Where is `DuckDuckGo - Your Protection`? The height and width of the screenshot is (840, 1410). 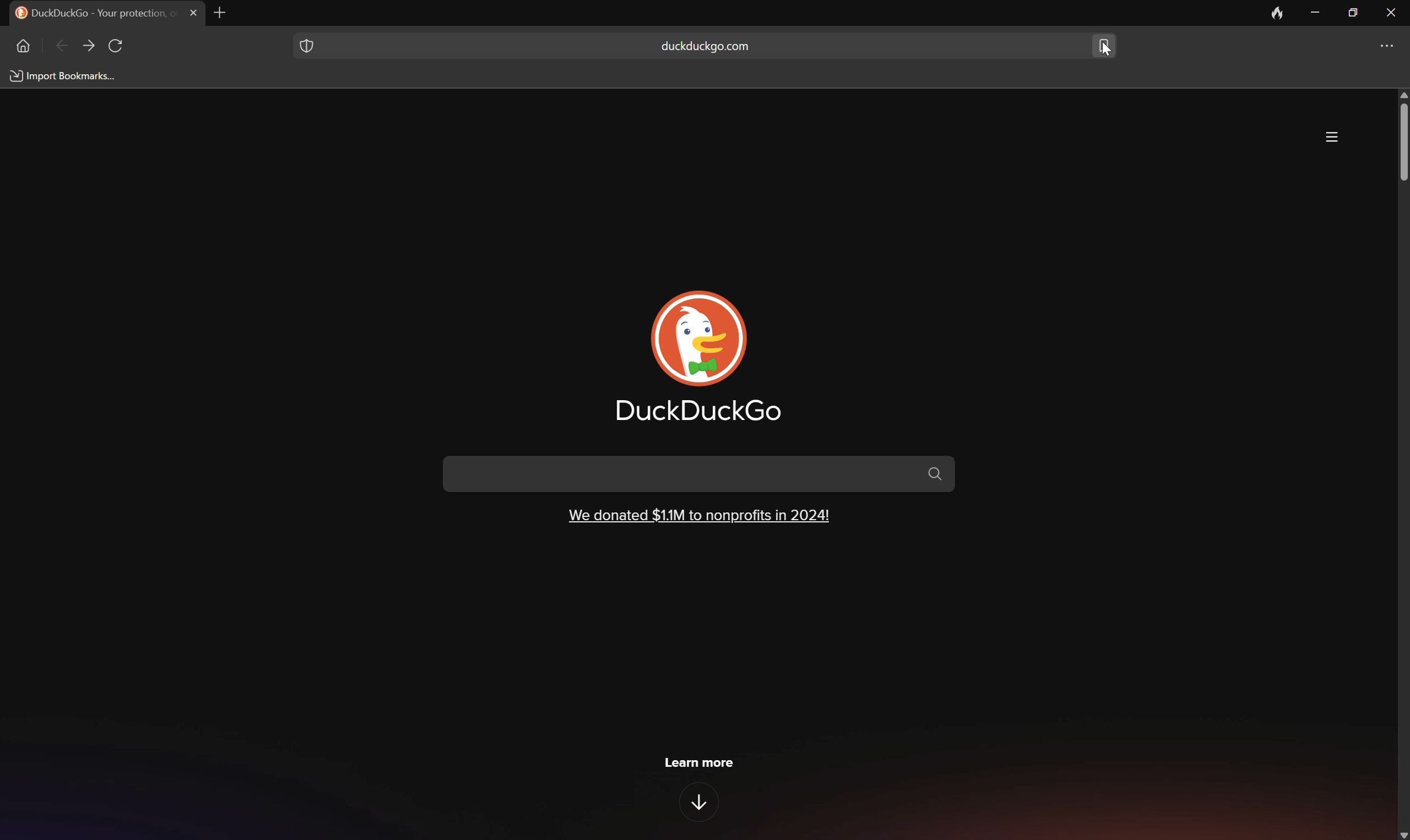
DuckDuckGo - Your Protection is located at coordinates (93, 12).